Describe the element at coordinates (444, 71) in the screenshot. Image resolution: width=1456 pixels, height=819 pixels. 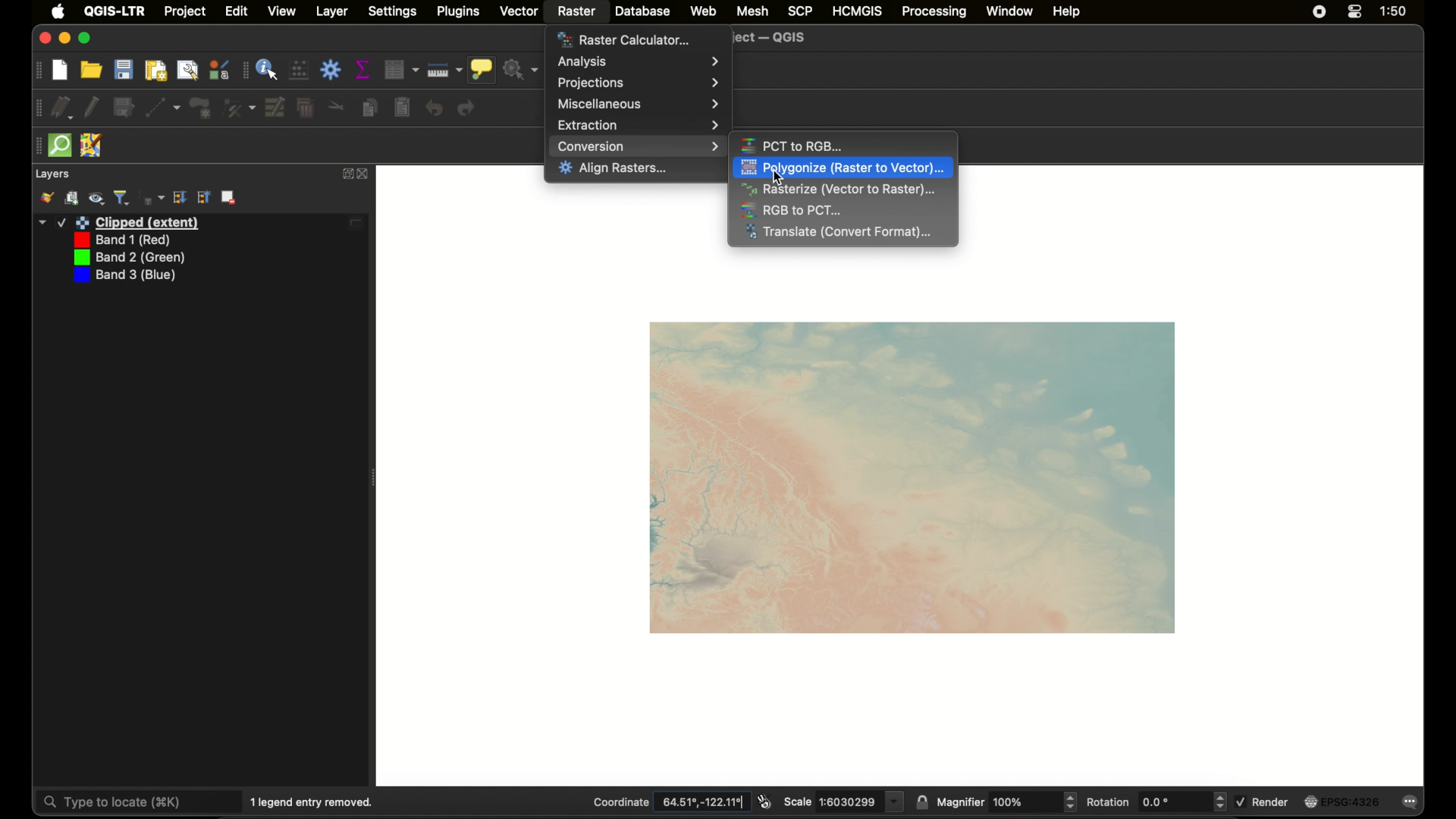
I see `measure line` at that location.